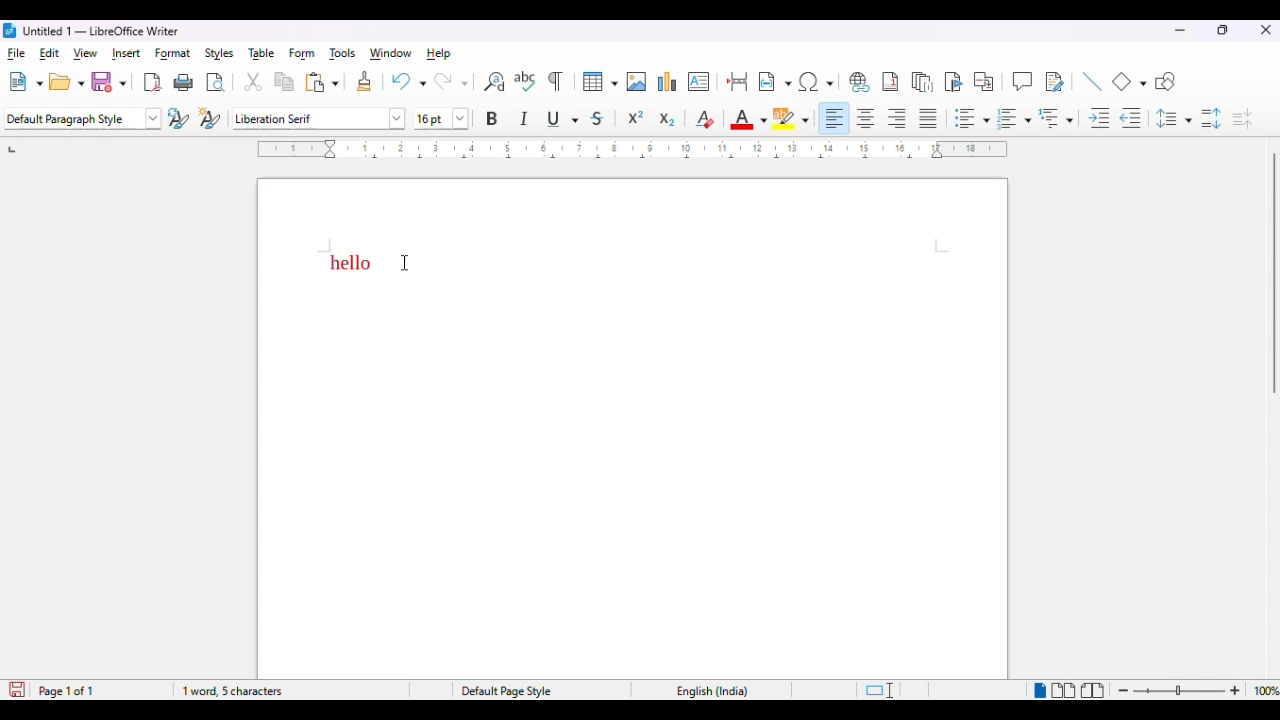 This screenshot has height=720, width=1280. Describe the element at coordinates (721, 694) in the screenshot. I see `English (India)` at that location.